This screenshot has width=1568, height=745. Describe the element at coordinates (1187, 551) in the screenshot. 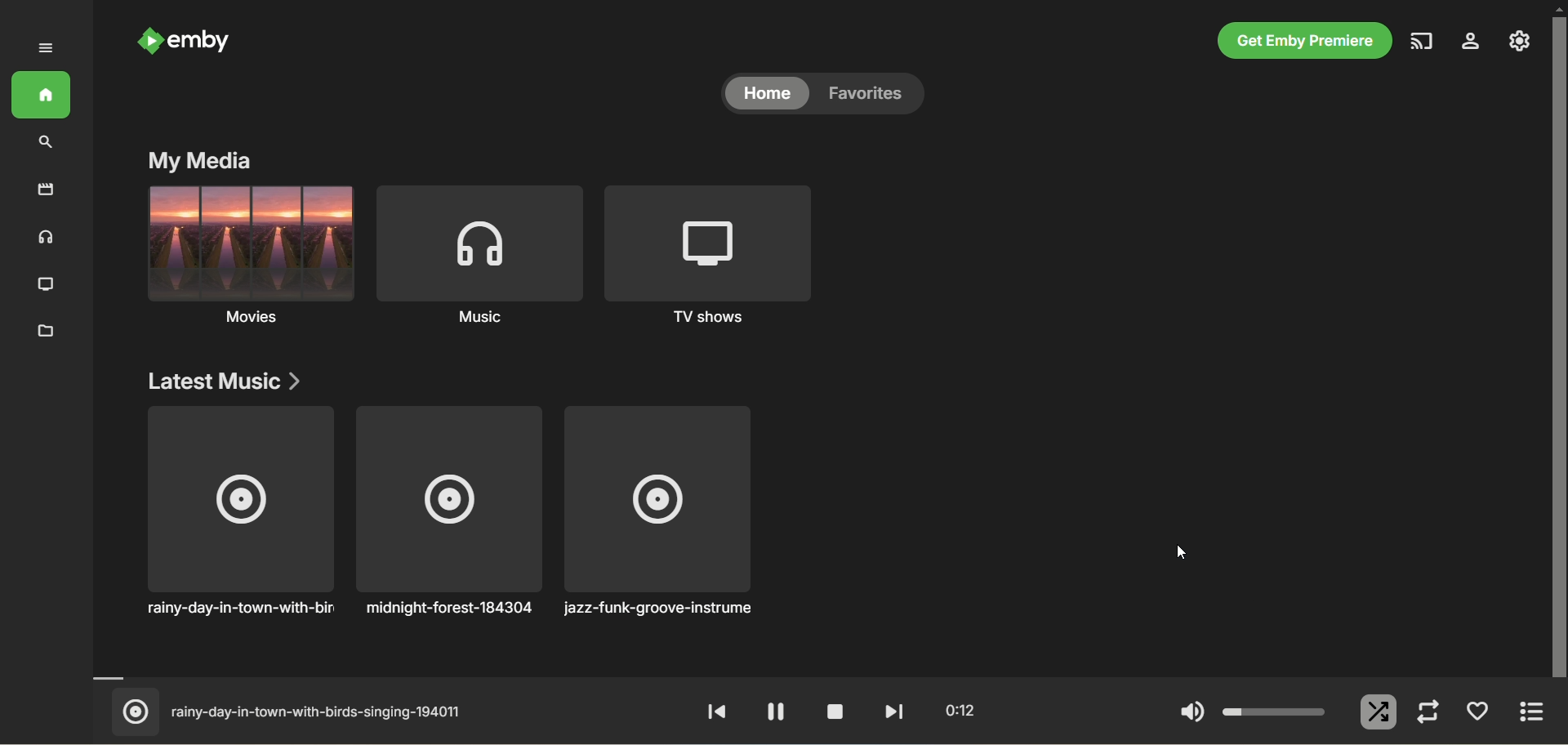

I see `cursor` at that location.